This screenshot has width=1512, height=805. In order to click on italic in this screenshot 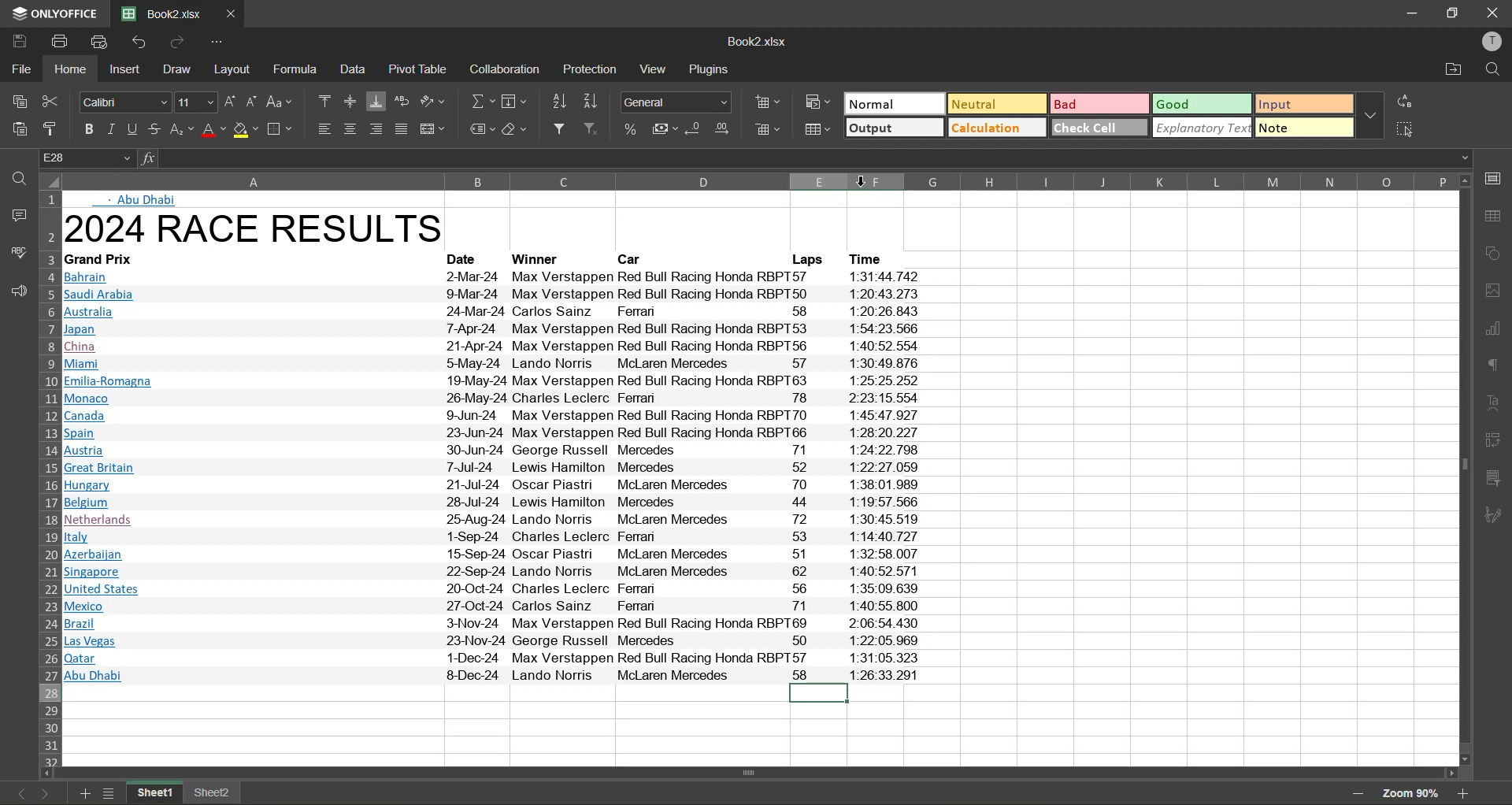, I will do `click(113, 128)`.